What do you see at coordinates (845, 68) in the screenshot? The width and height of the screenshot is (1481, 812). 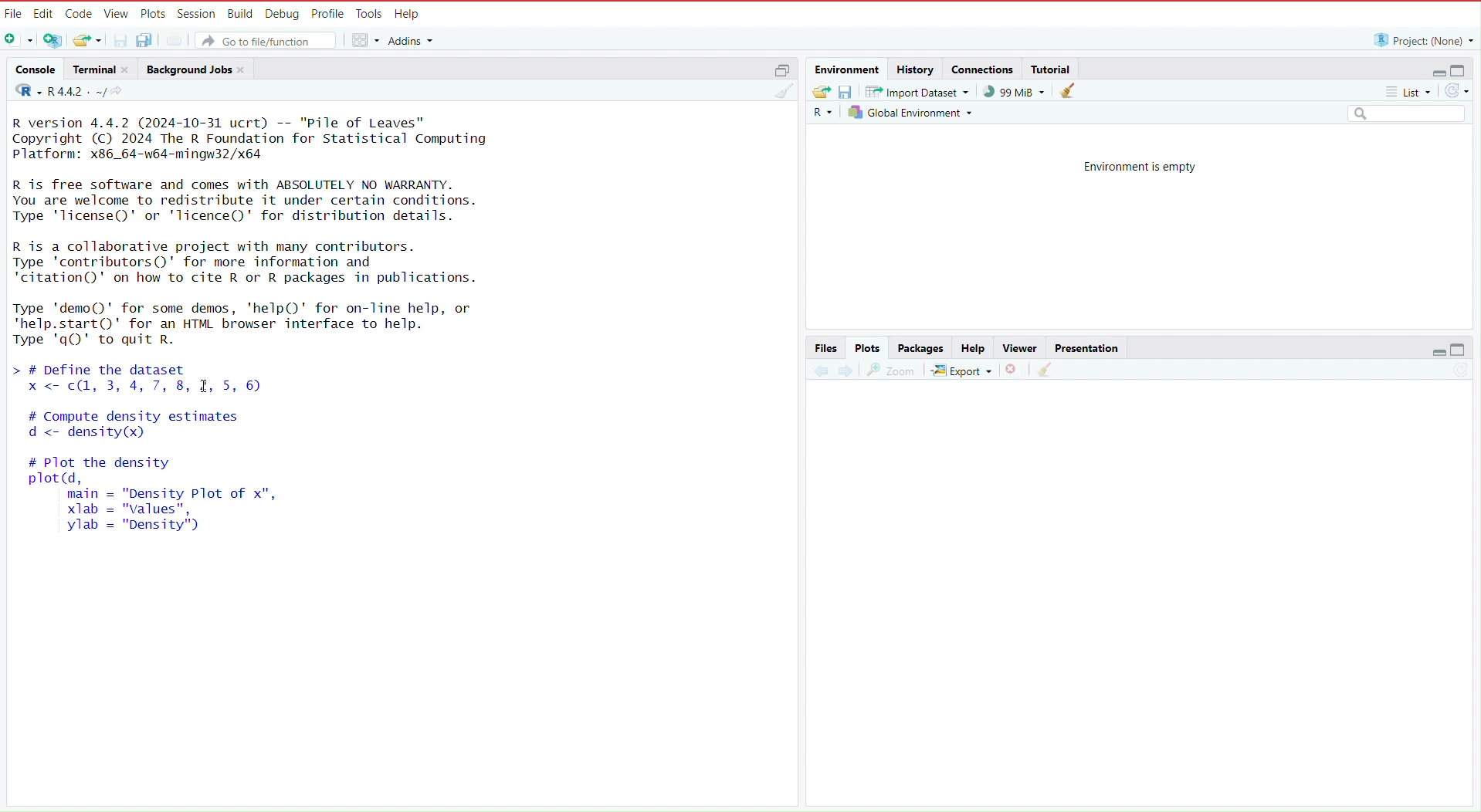 I see `environment` at bounding box center [845, 68].